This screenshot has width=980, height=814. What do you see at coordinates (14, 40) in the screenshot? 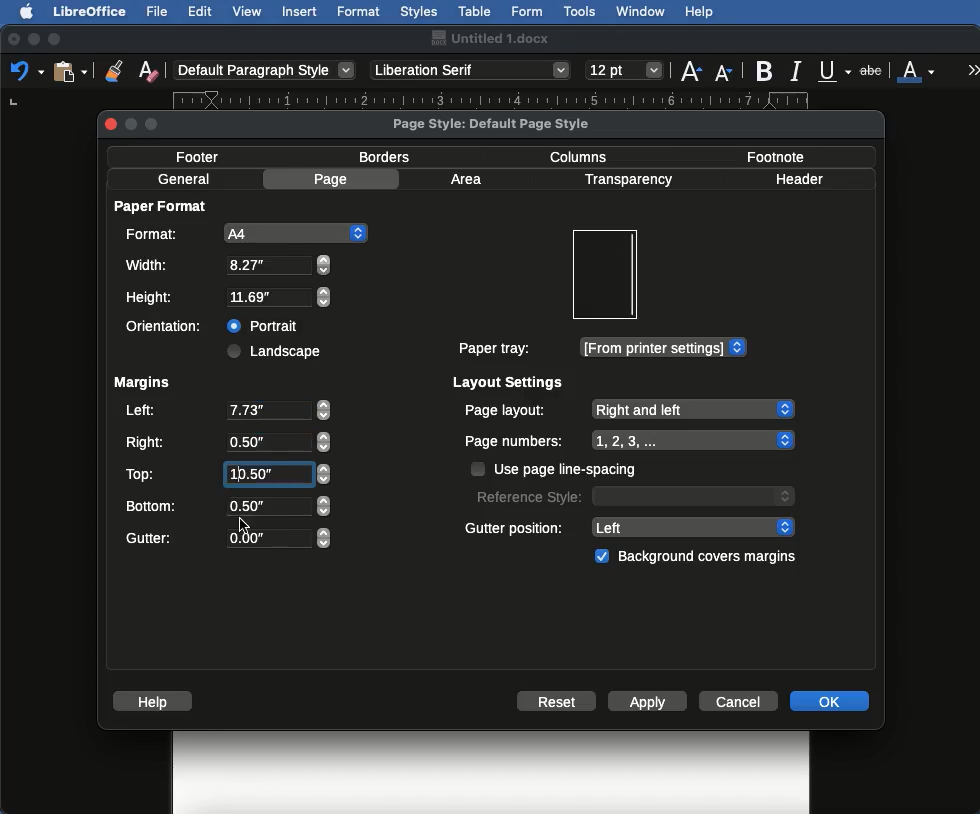
I see `Close` at bounding box center [14, 40].